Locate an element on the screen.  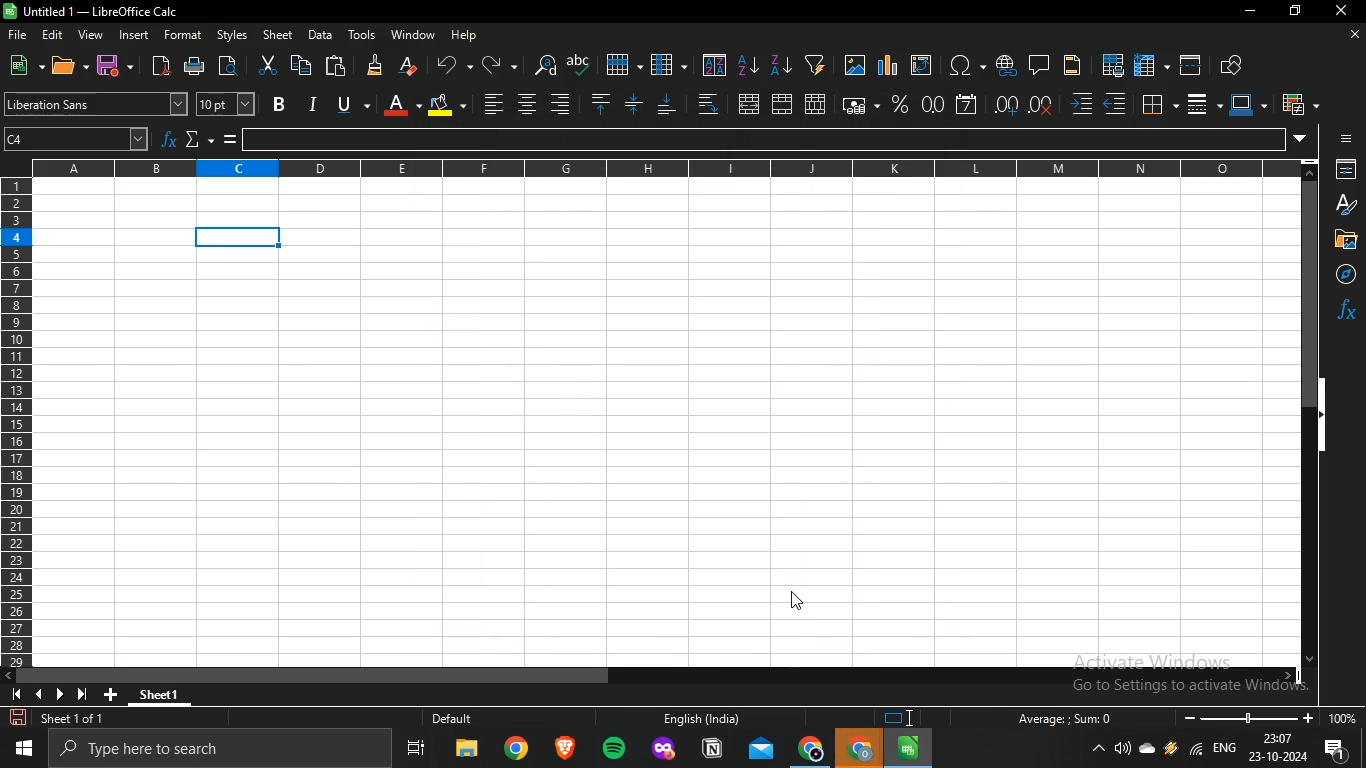
sort descending is located at coordinates (780, 64).